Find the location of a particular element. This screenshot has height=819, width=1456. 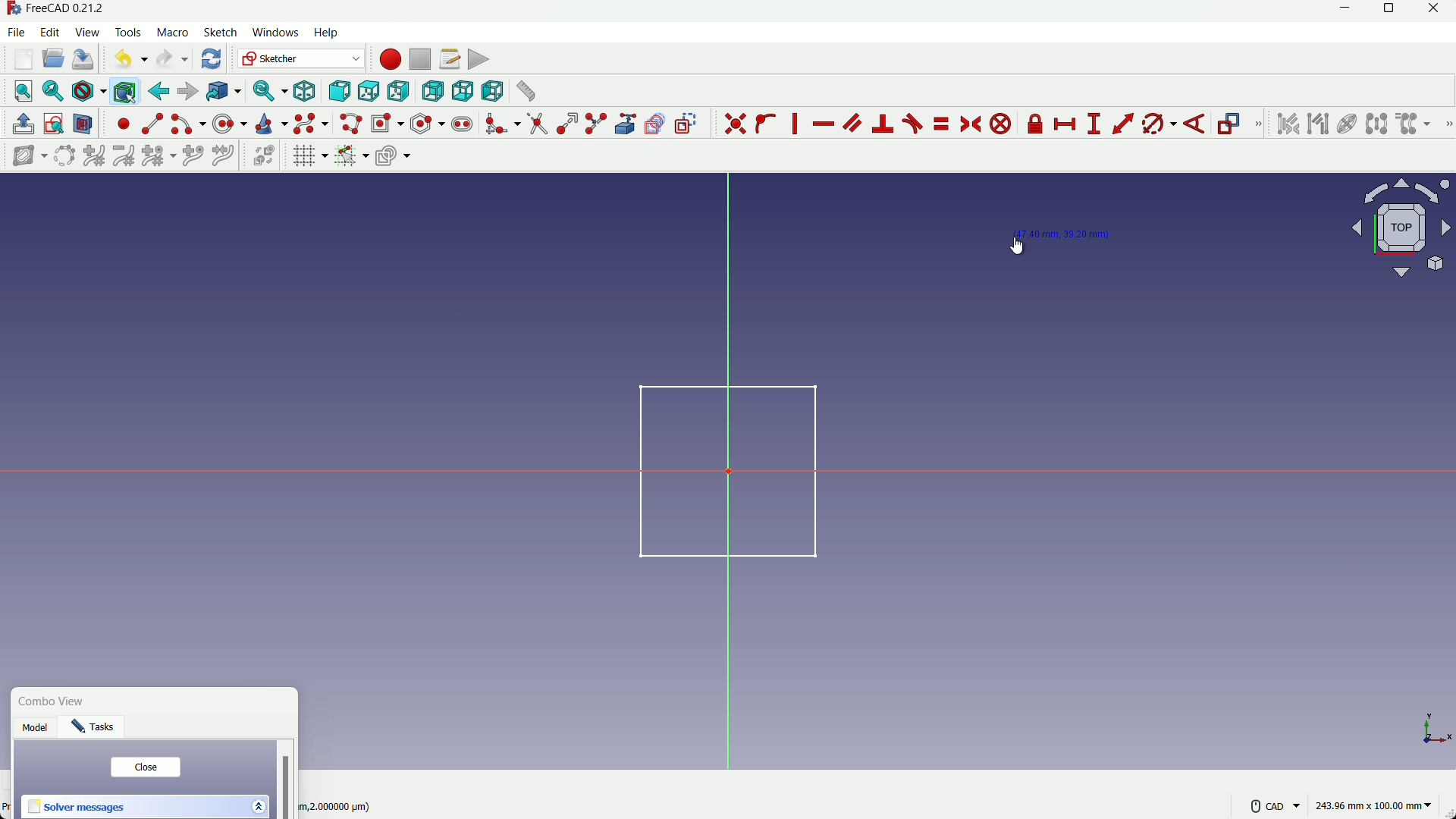

draw styles is located at coordinates (88, 91).